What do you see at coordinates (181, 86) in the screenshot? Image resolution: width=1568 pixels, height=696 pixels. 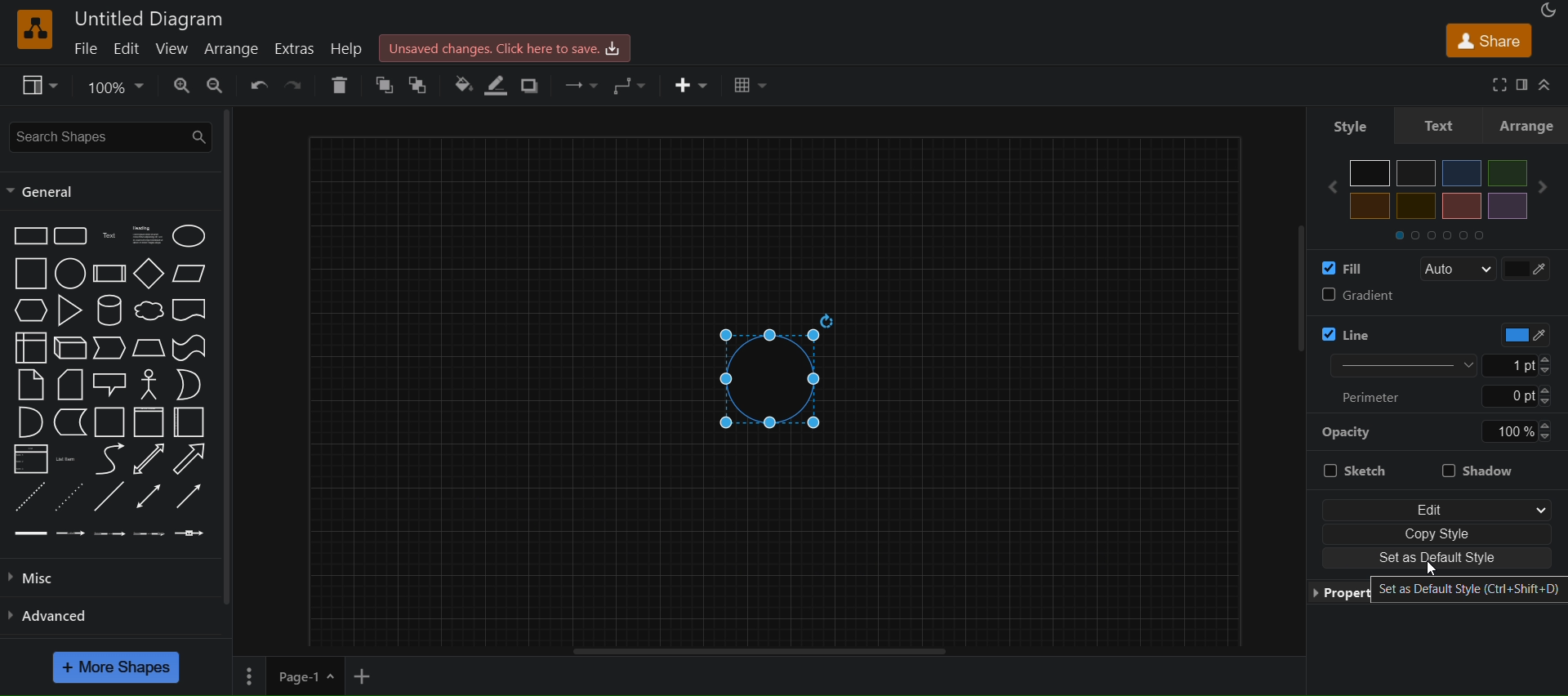 I see `zoom in` at bounding box center [181, 86].